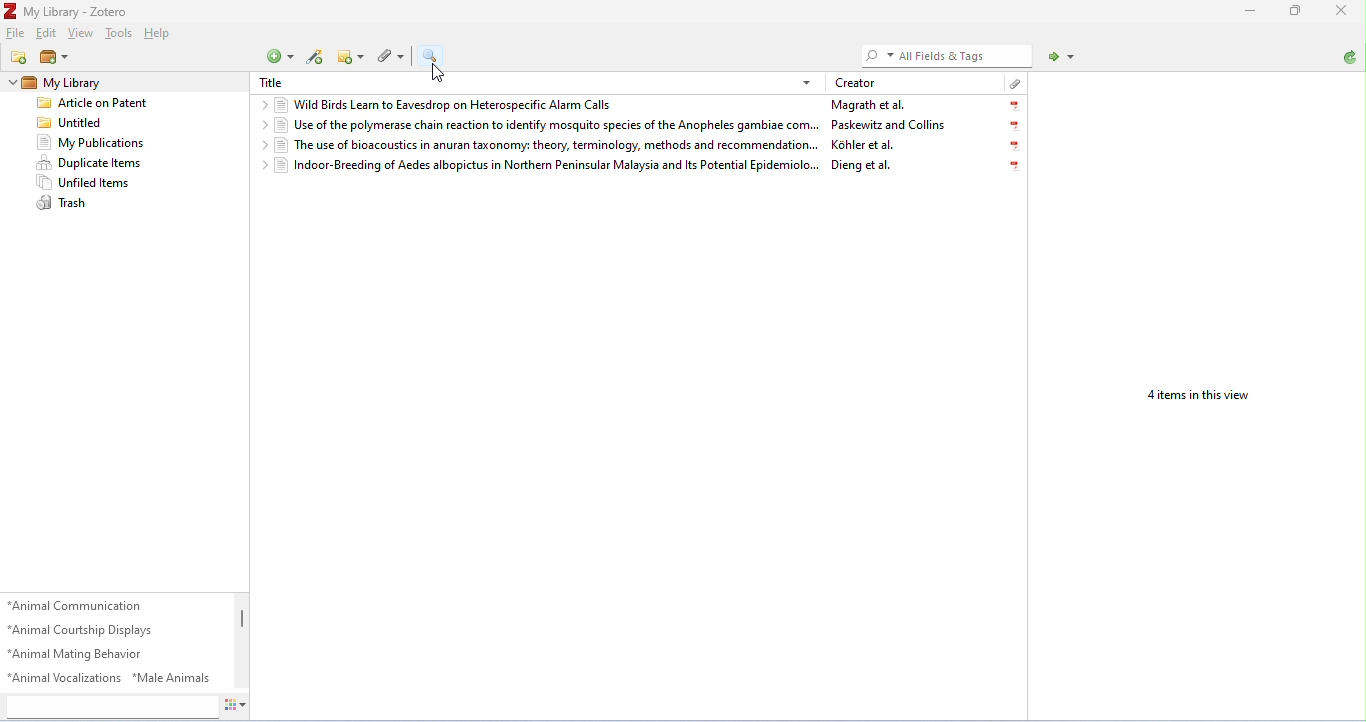 The image size is (1366, 722). I want to click on male animals, so click(171, 677).